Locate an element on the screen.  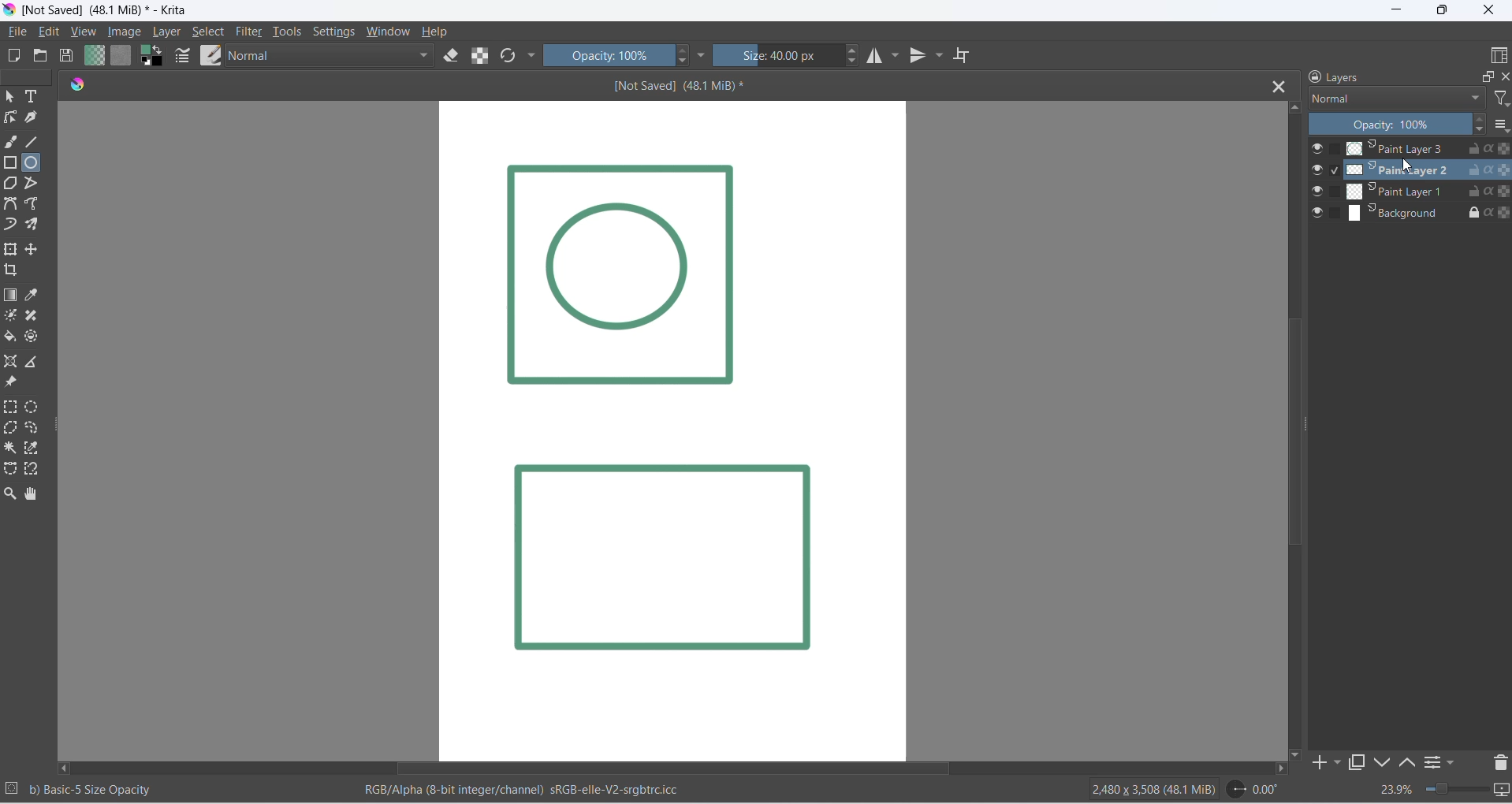
maximize tab is located at coordinates (1357, 764).